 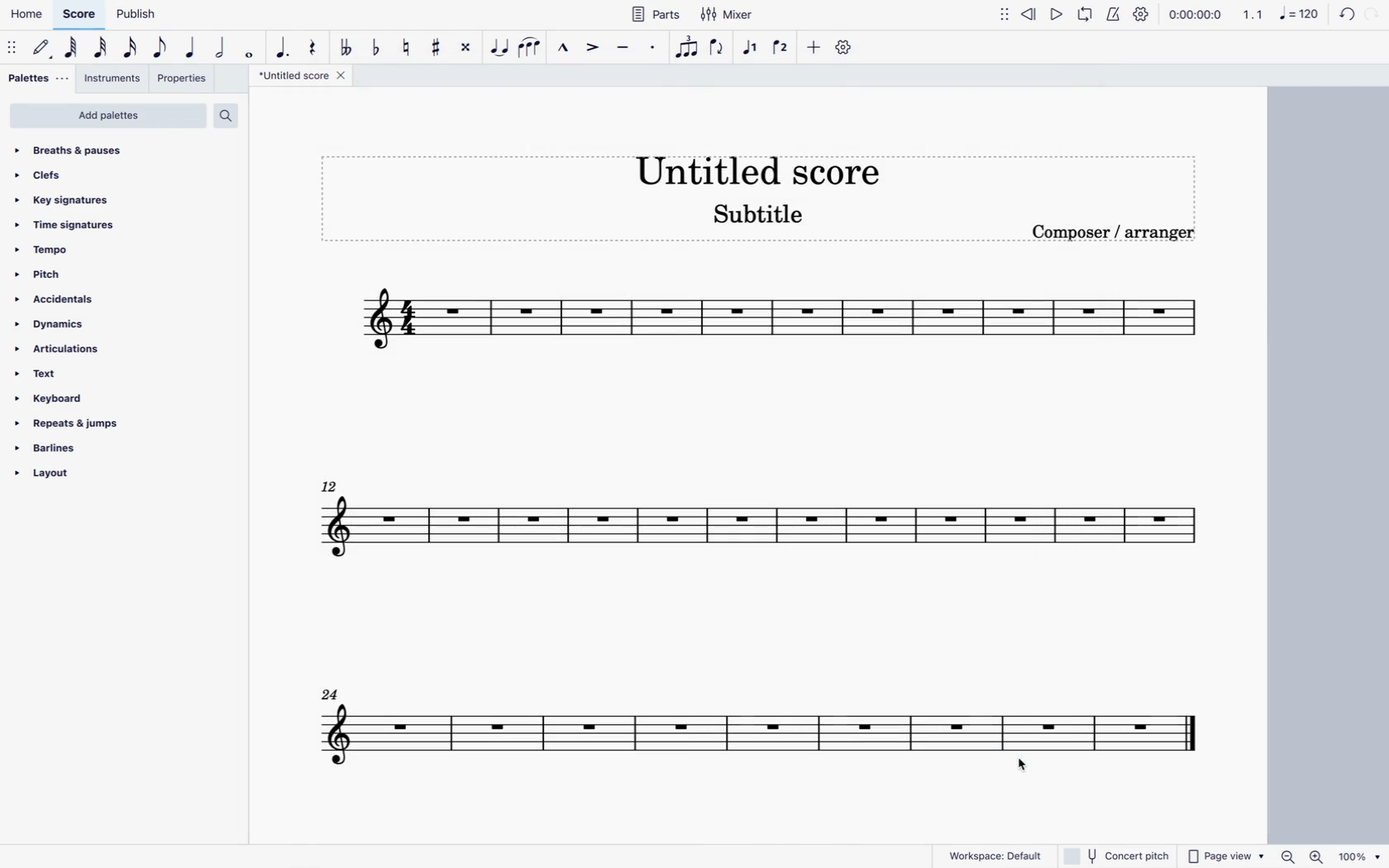 What do you see at coordinates (465, 49) in the screenshot?
I see `toggle double sharp` at bounding box center [465, 49].